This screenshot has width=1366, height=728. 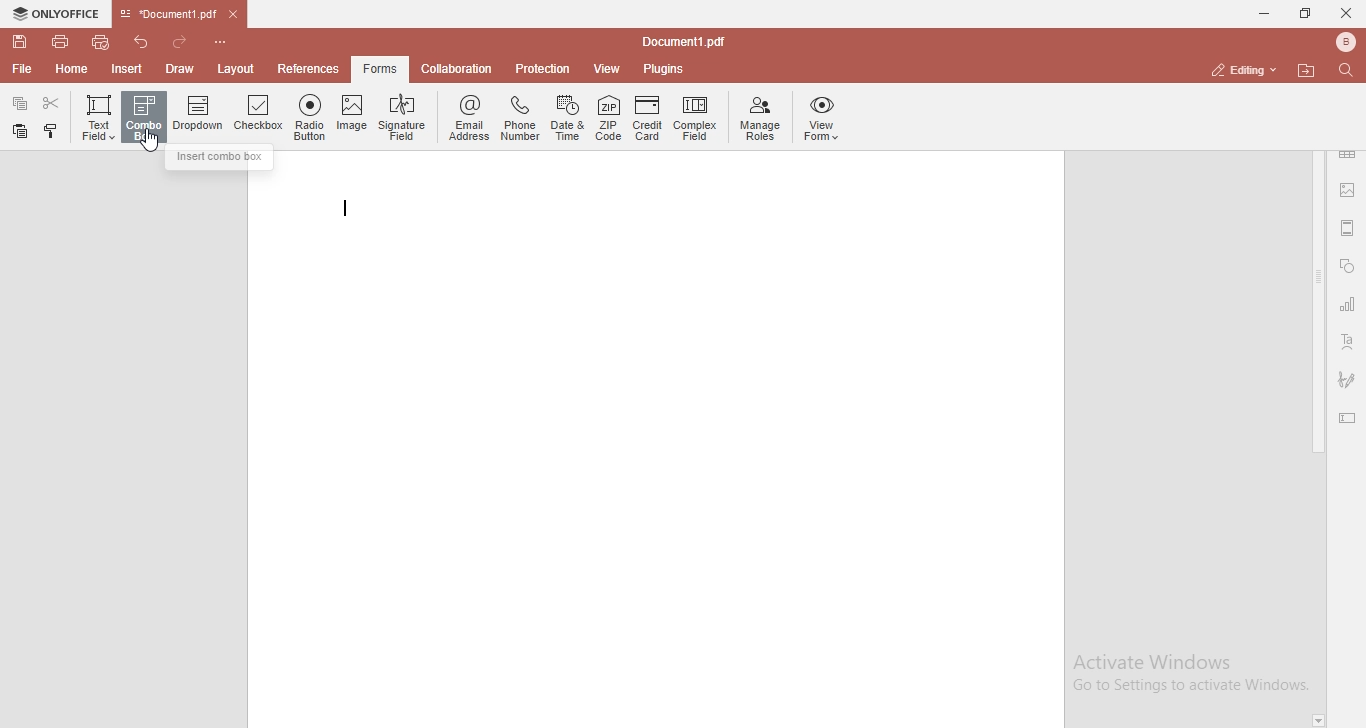 What do you see at coordinates (53, 103) in the screenshot?
I see `cut` at bounding box center [53, 103].